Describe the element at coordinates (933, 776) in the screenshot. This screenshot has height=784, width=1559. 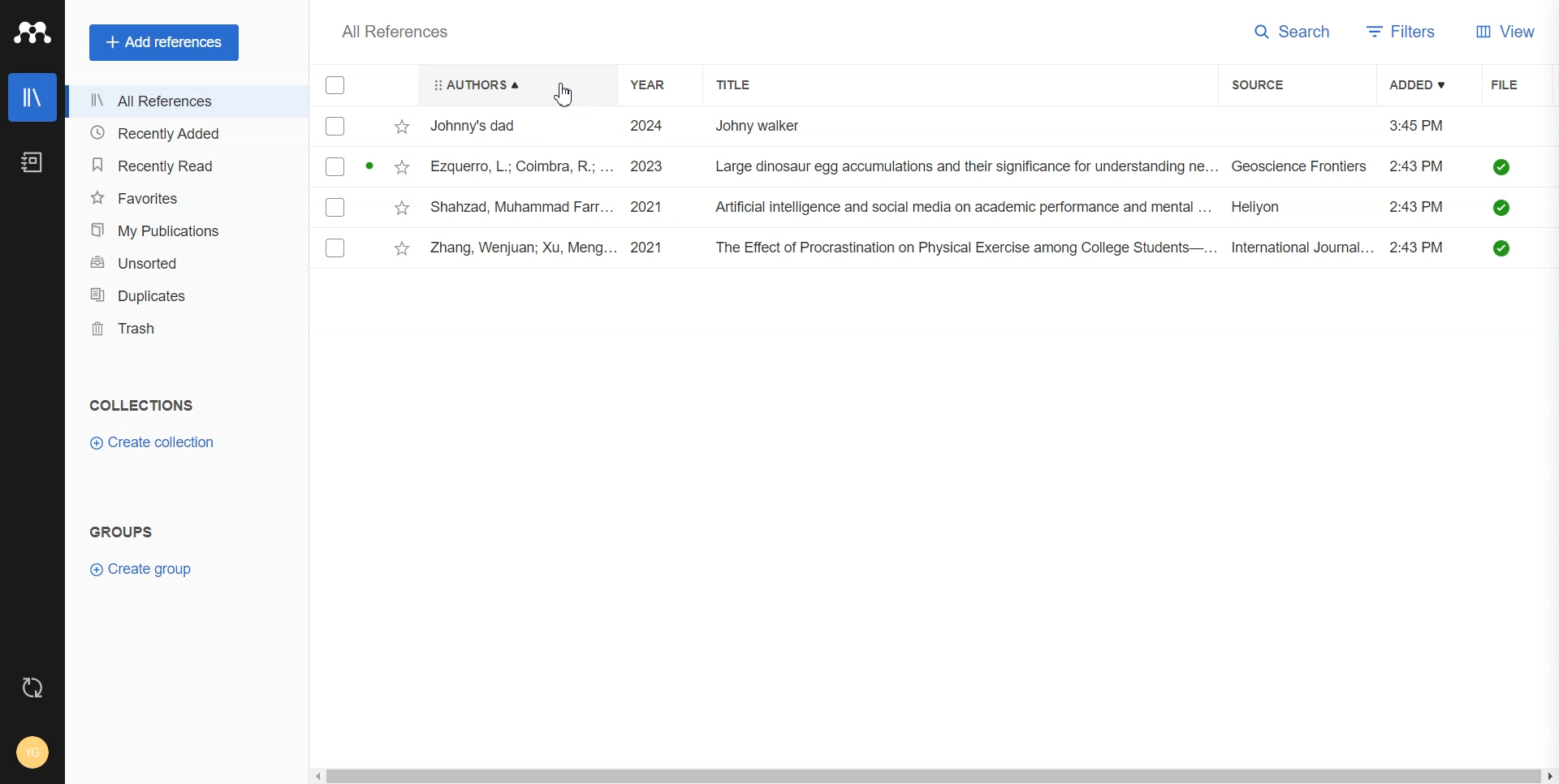
I see `Horizontal Scroll bar` at that location.